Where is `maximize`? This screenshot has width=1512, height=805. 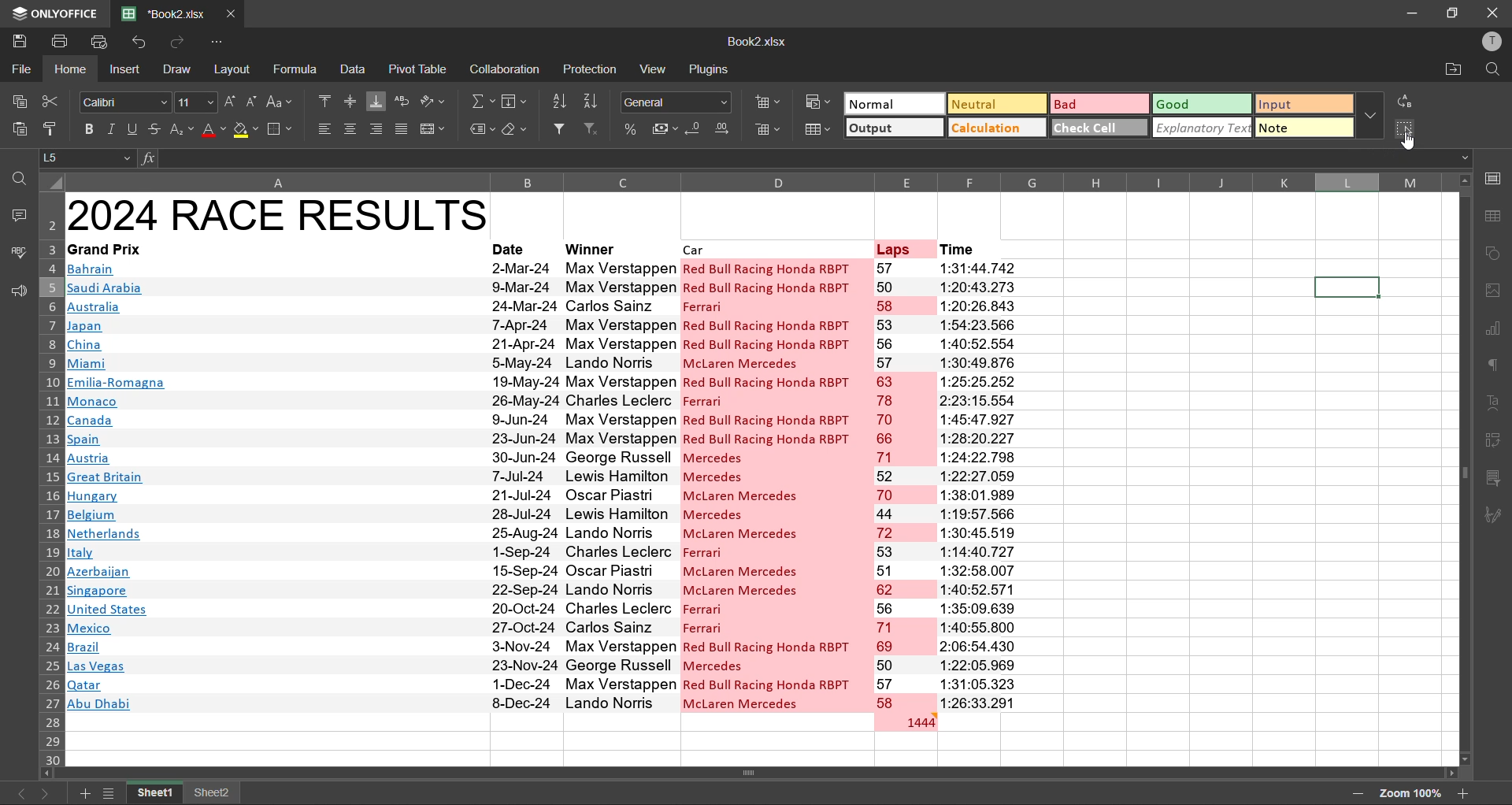
maximize is located at coordinates (1456, 13).